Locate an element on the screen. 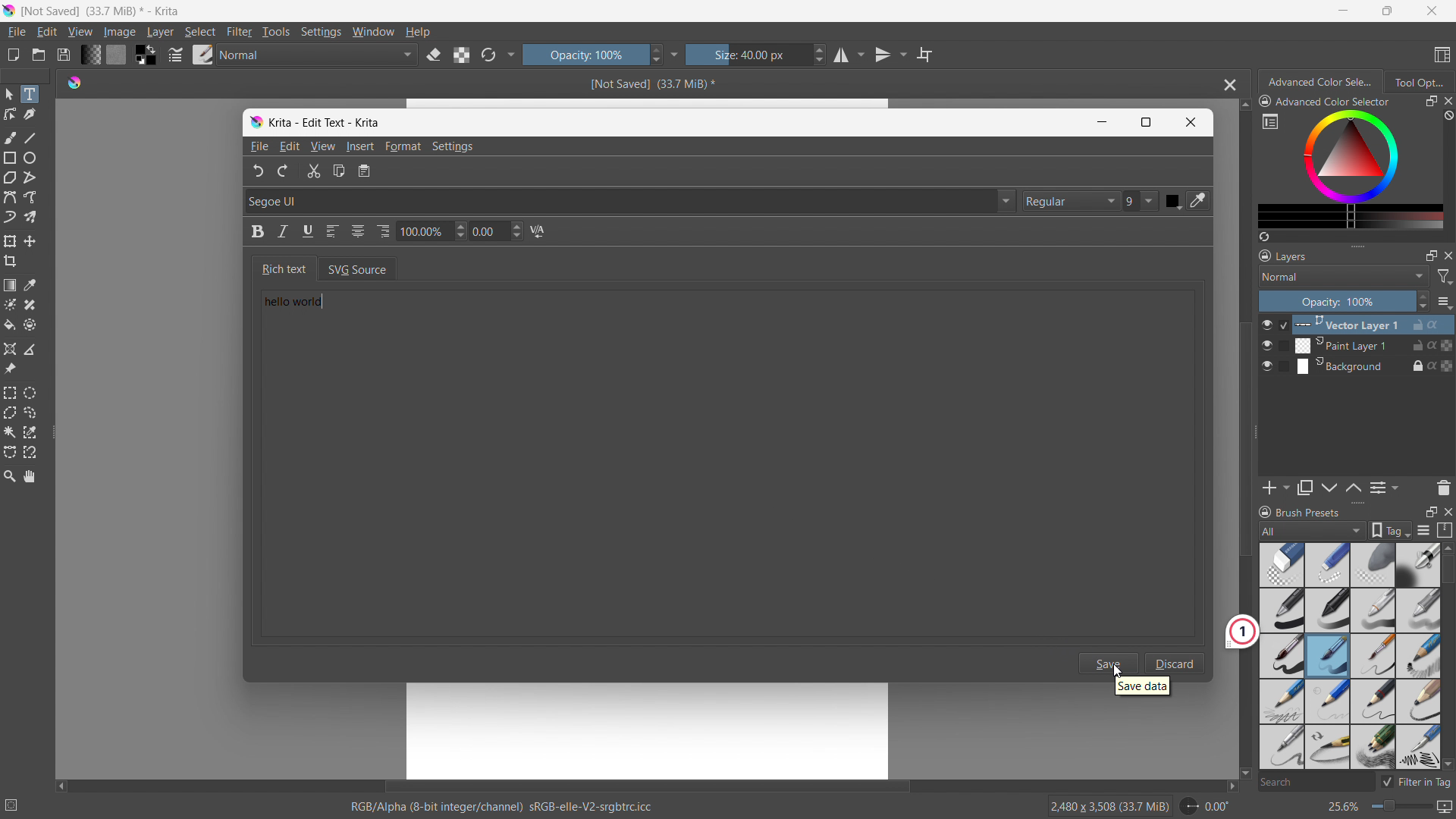  transform a layer or selection is located at coordinates (10, 241).